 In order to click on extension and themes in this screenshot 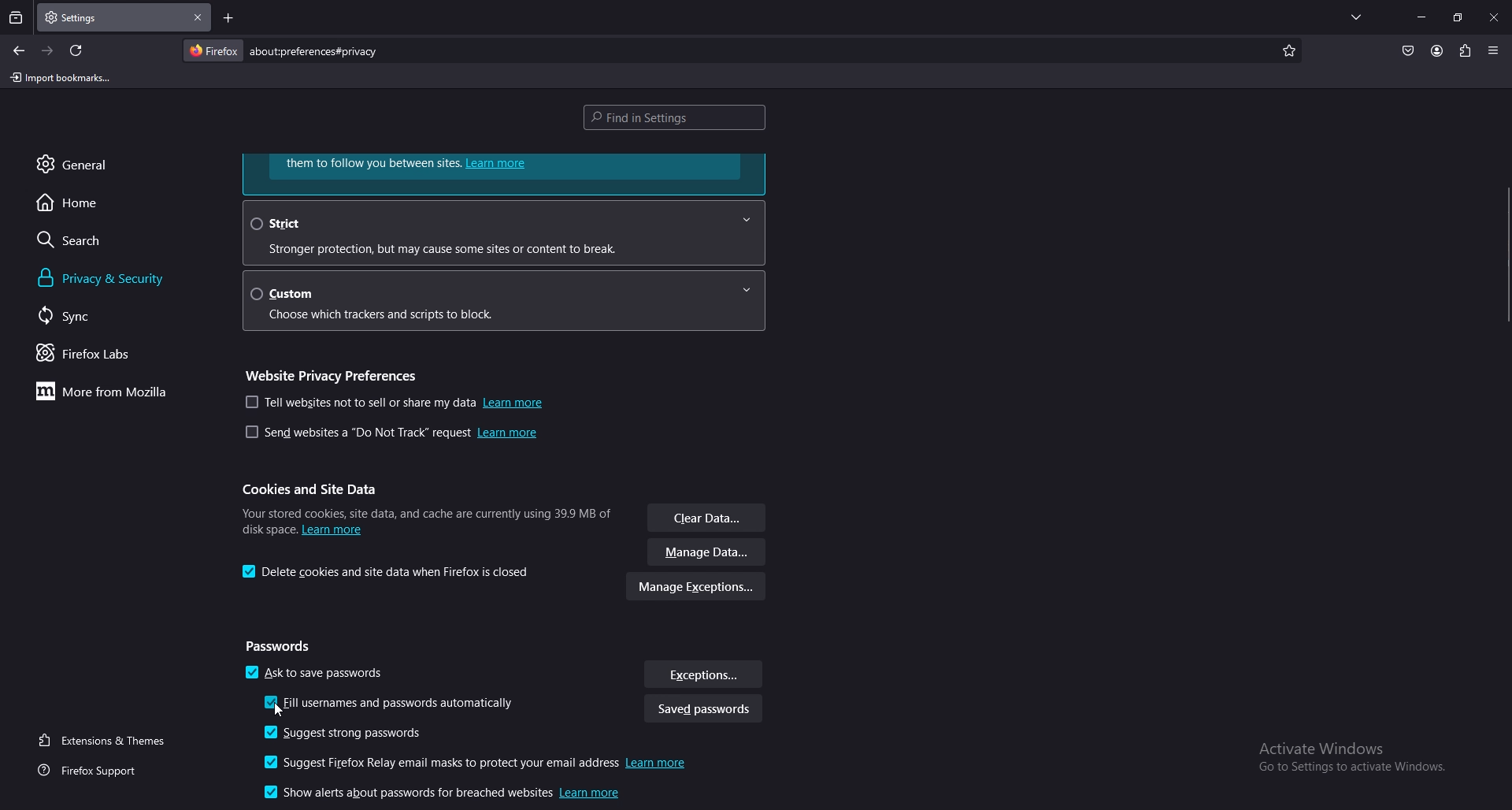, I will do `click(105, 740)`.